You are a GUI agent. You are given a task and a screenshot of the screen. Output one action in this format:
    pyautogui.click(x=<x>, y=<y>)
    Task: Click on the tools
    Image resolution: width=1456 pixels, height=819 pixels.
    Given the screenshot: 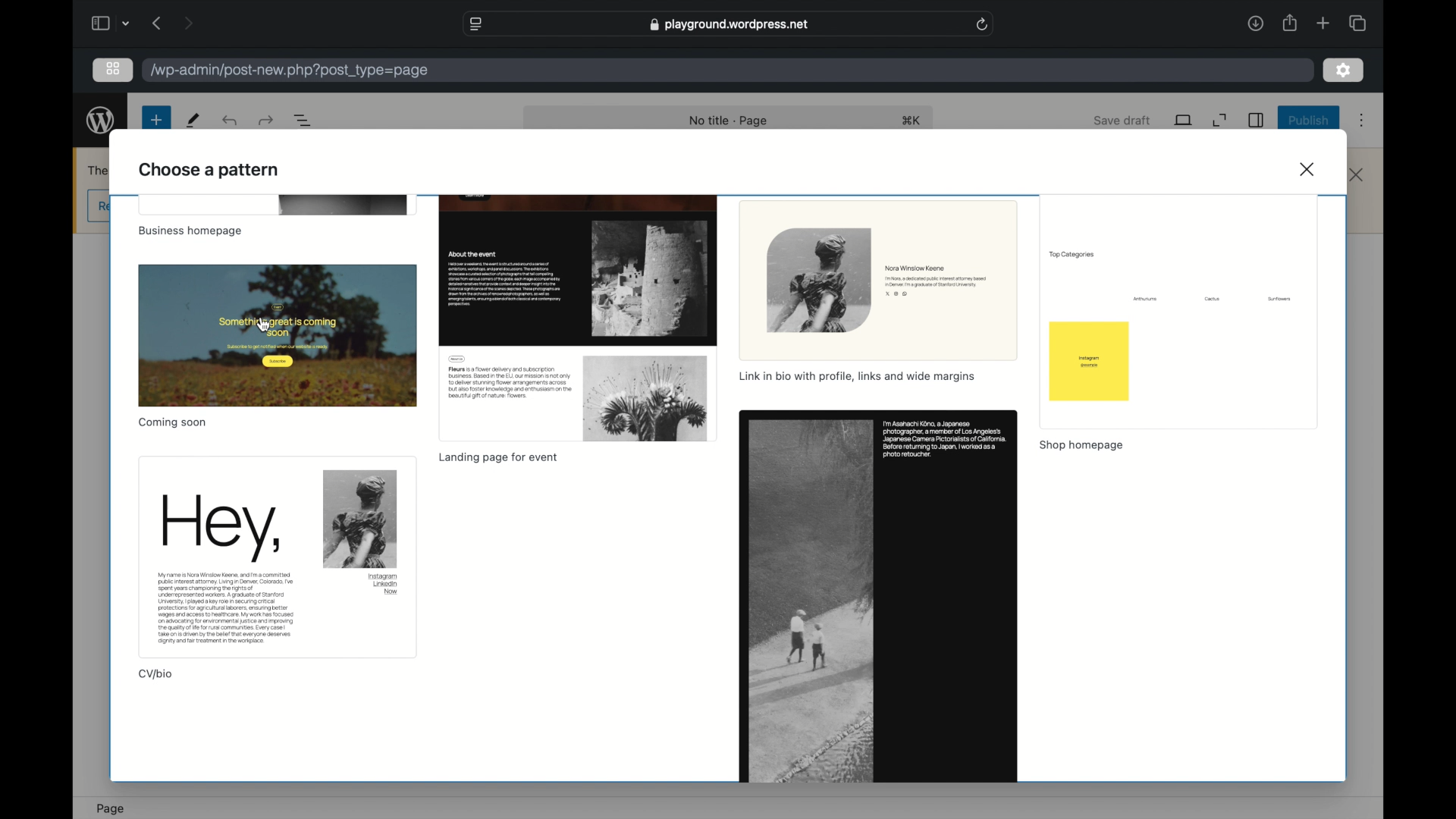 What is the action you would take?
    pyautogui.click(x=193, y=121)
    